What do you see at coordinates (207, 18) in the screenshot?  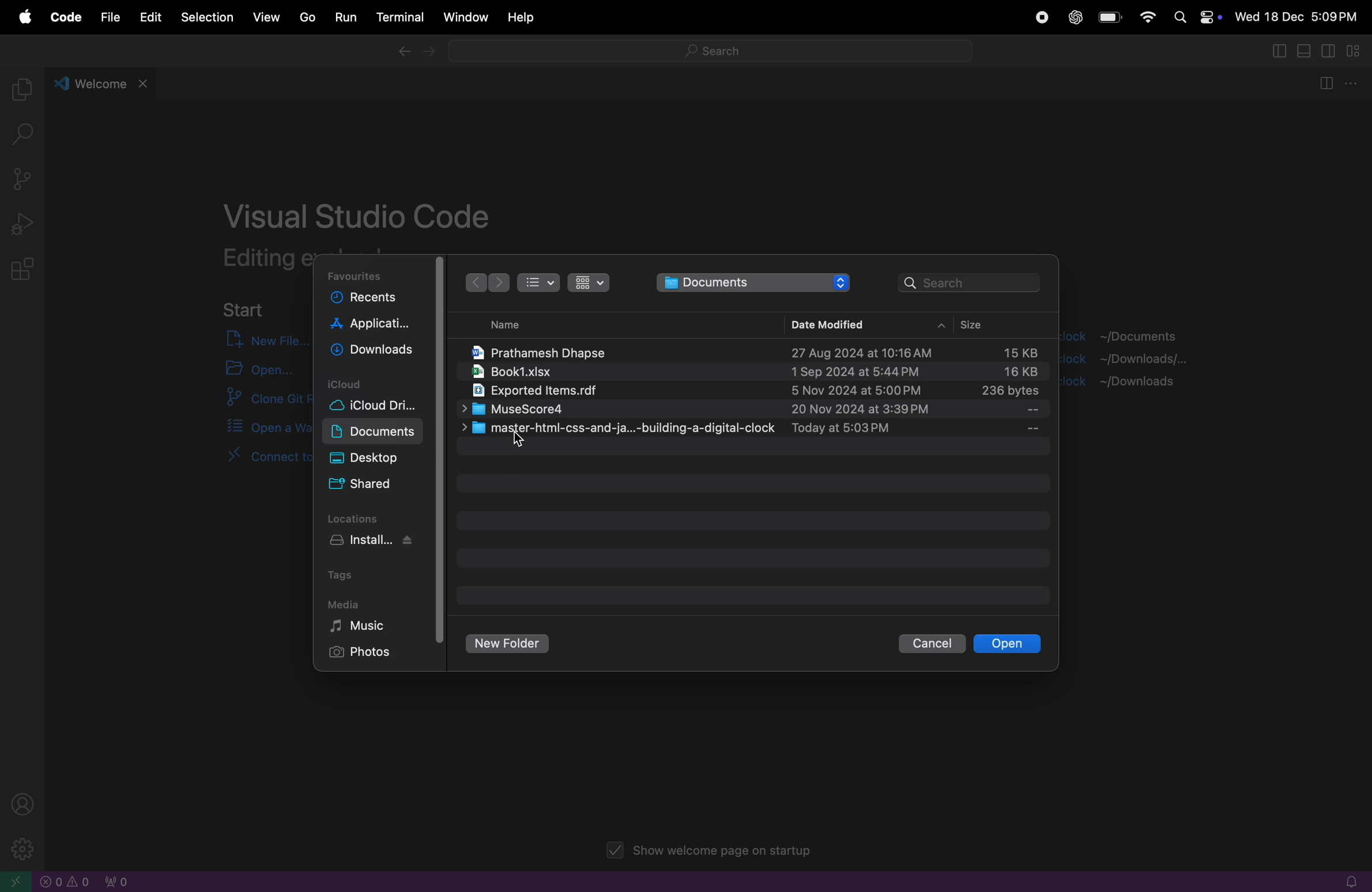 I see `selection` at bounding box center [207, 18].